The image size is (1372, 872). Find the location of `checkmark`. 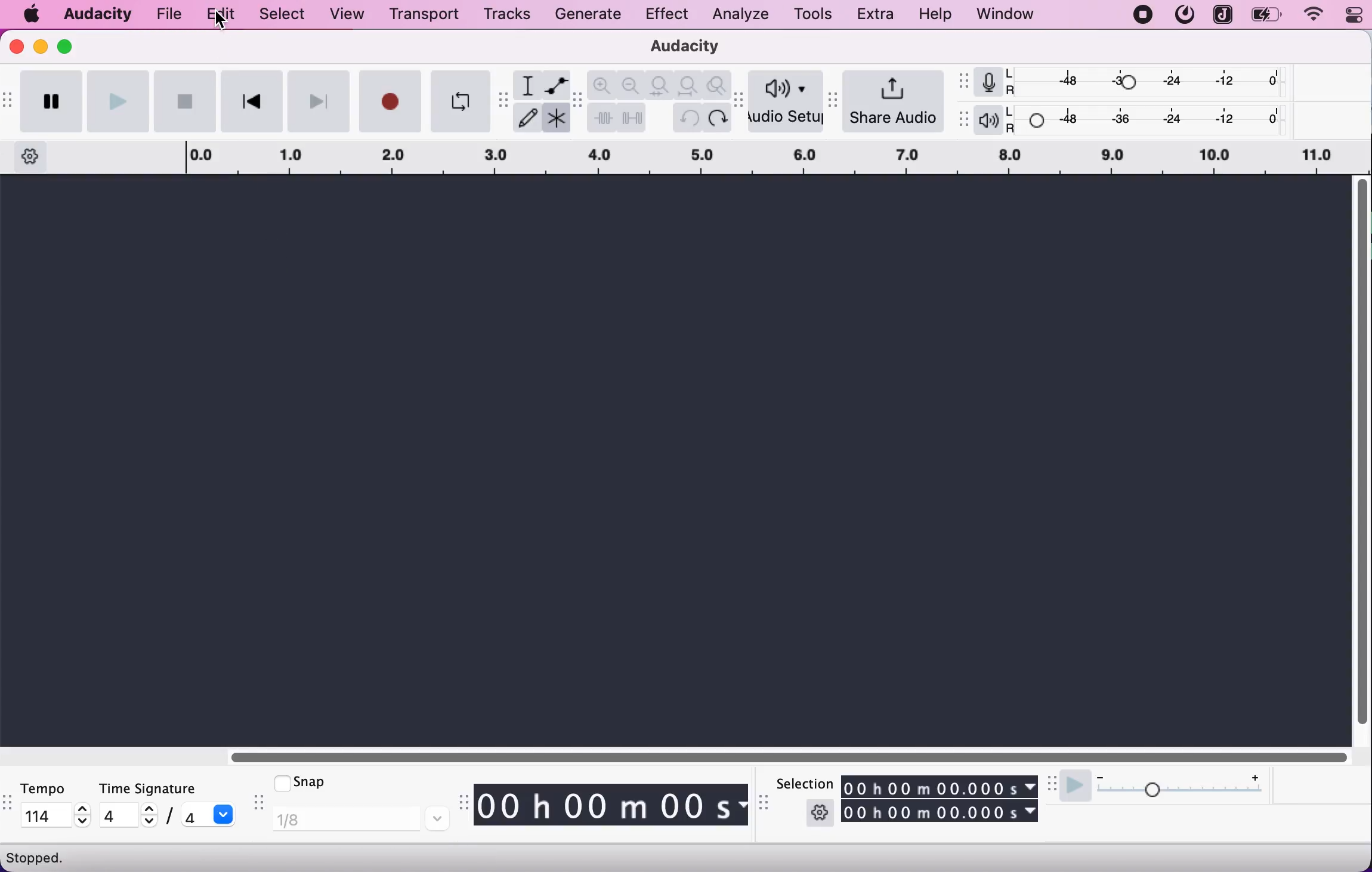

checkmark is located at coordinates (280, 782).